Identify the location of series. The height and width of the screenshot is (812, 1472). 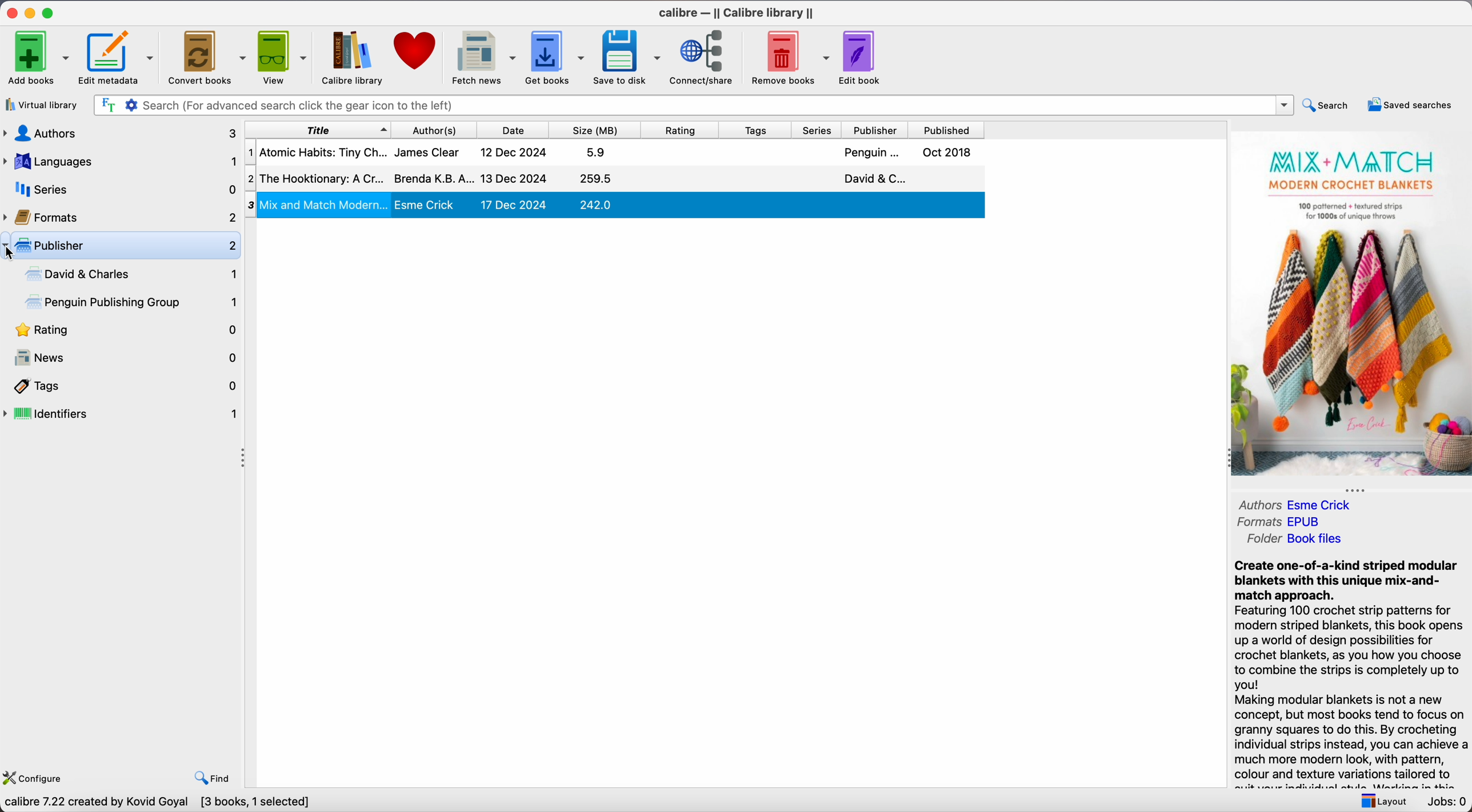
(819, 130).